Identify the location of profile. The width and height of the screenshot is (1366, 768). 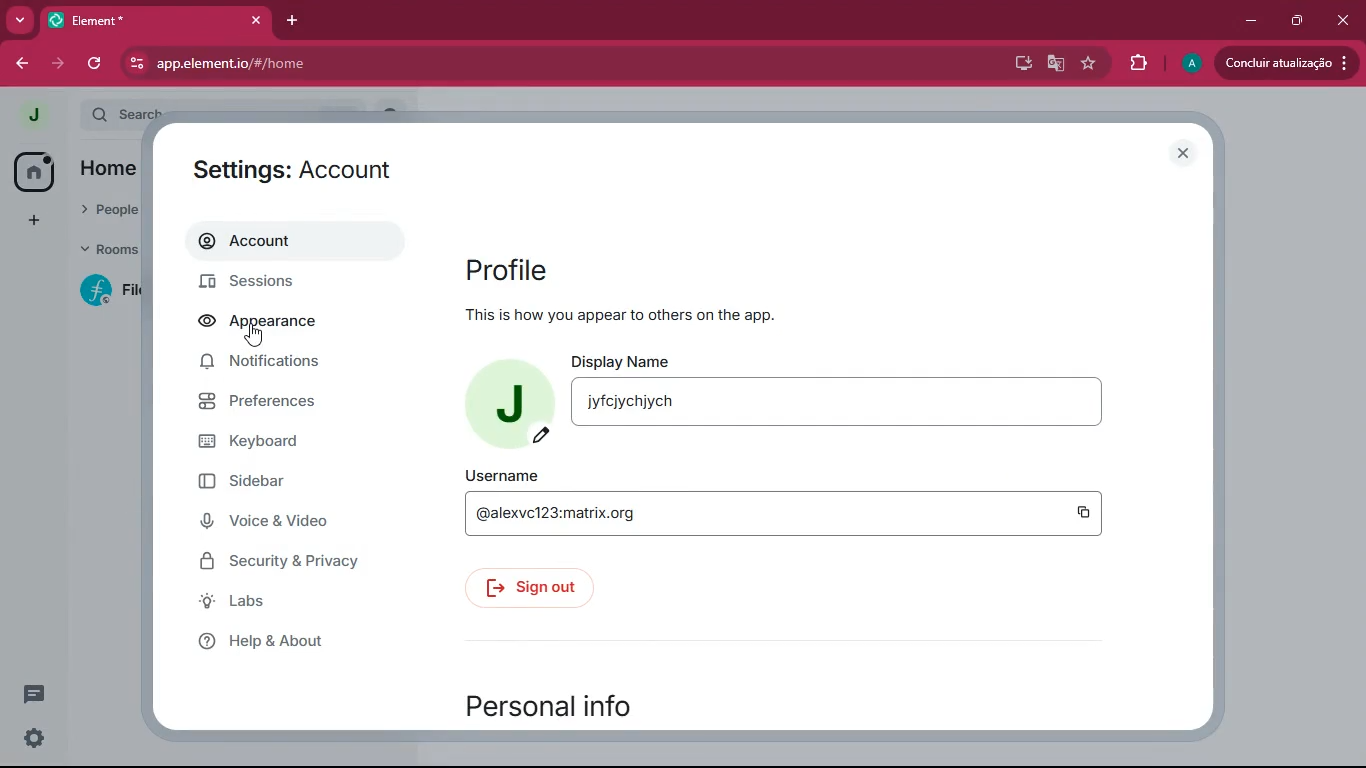
(1188, 63).